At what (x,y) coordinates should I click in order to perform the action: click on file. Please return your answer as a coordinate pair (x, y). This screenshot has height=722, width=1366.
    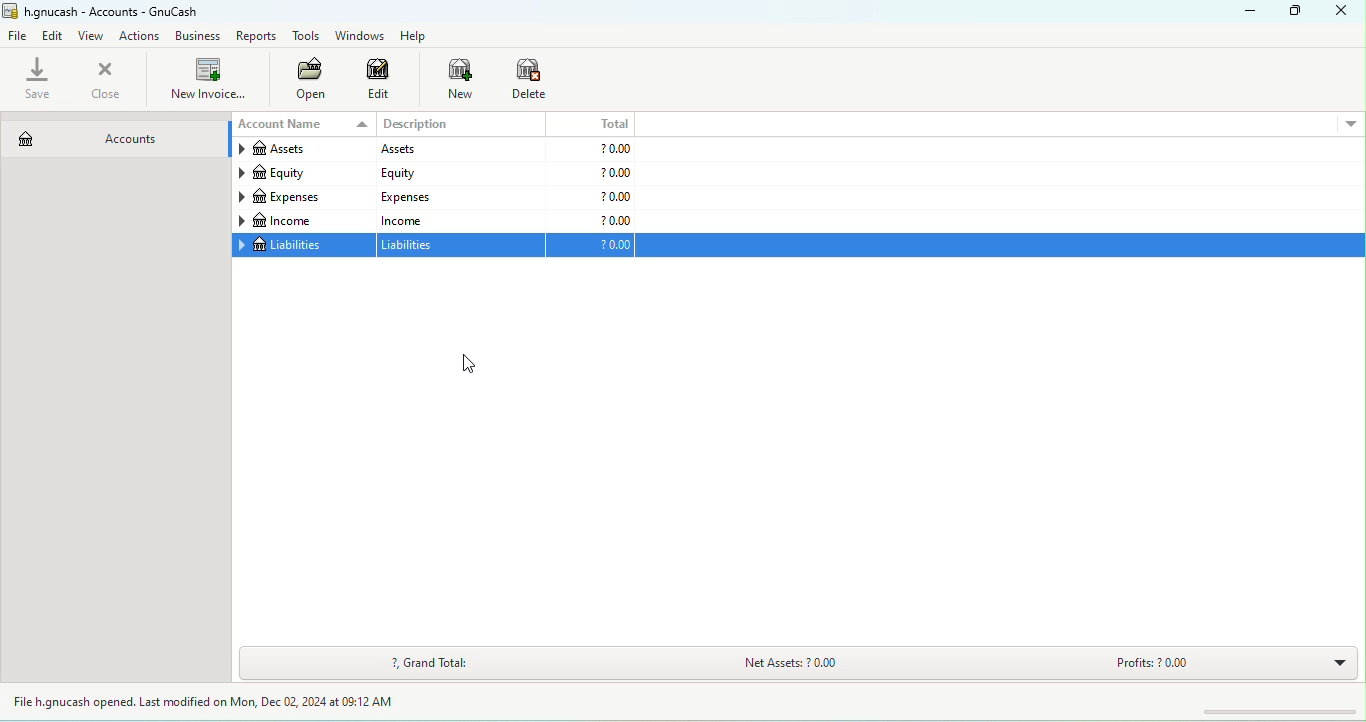
    Looking at the image, I should click on (18, 37).